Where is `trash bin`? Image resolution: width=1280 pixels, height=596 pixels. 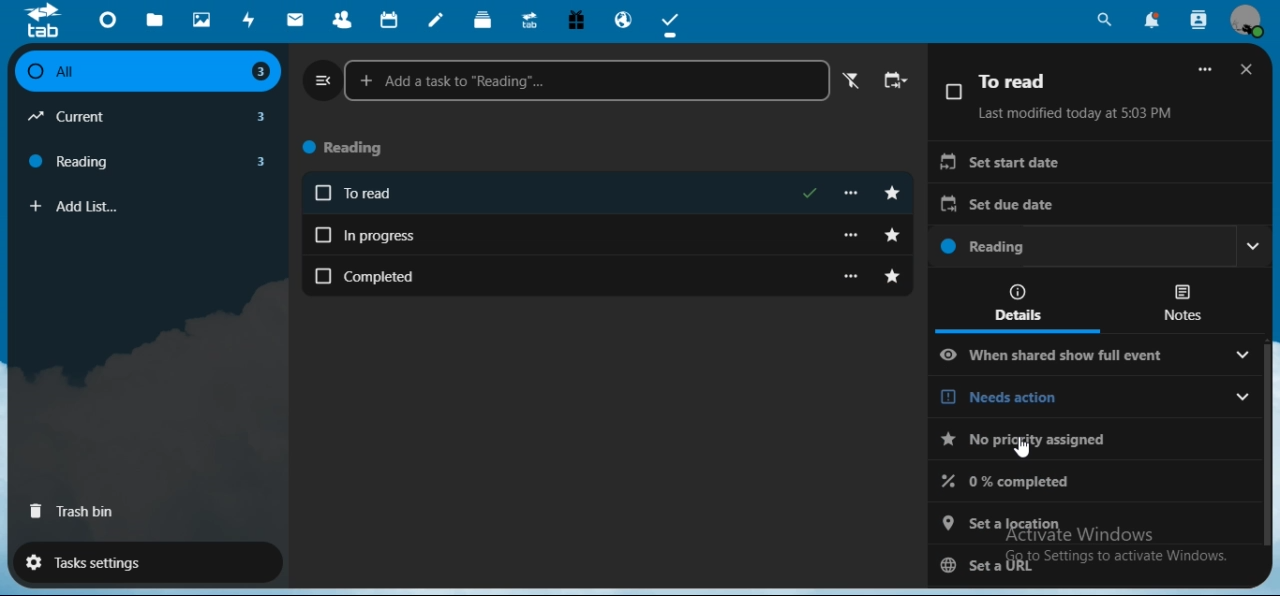
trash bin is located at coordinates (74, 514).